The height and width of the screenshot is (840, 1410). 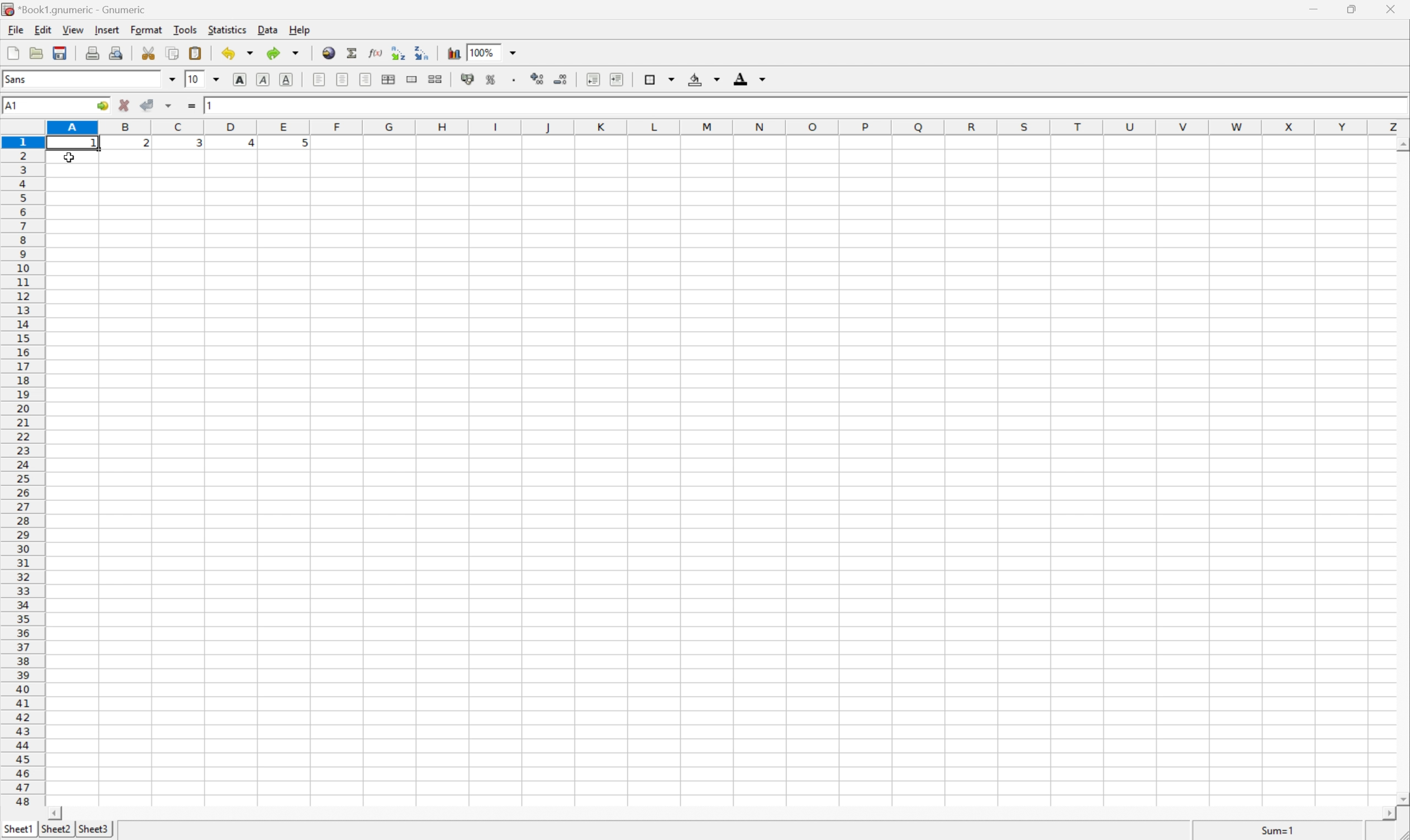 I want to click on borders, so click(x=660, y=78).